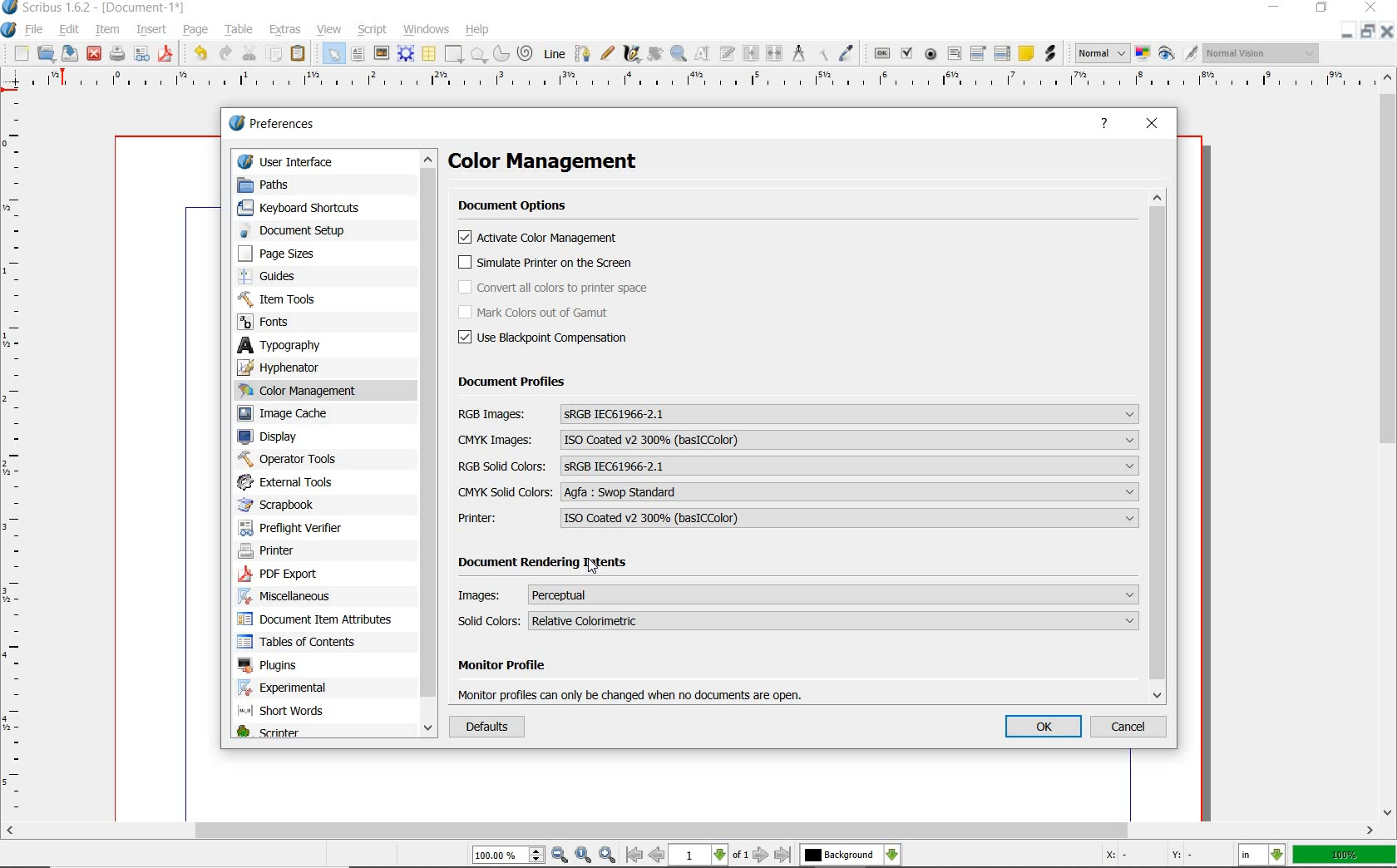 This screenshot has height=868, width=1397. What do you see at coordinates (1132, 727) in the screenshot?
I see `CANCEL` at bounding box center [1132, 727].